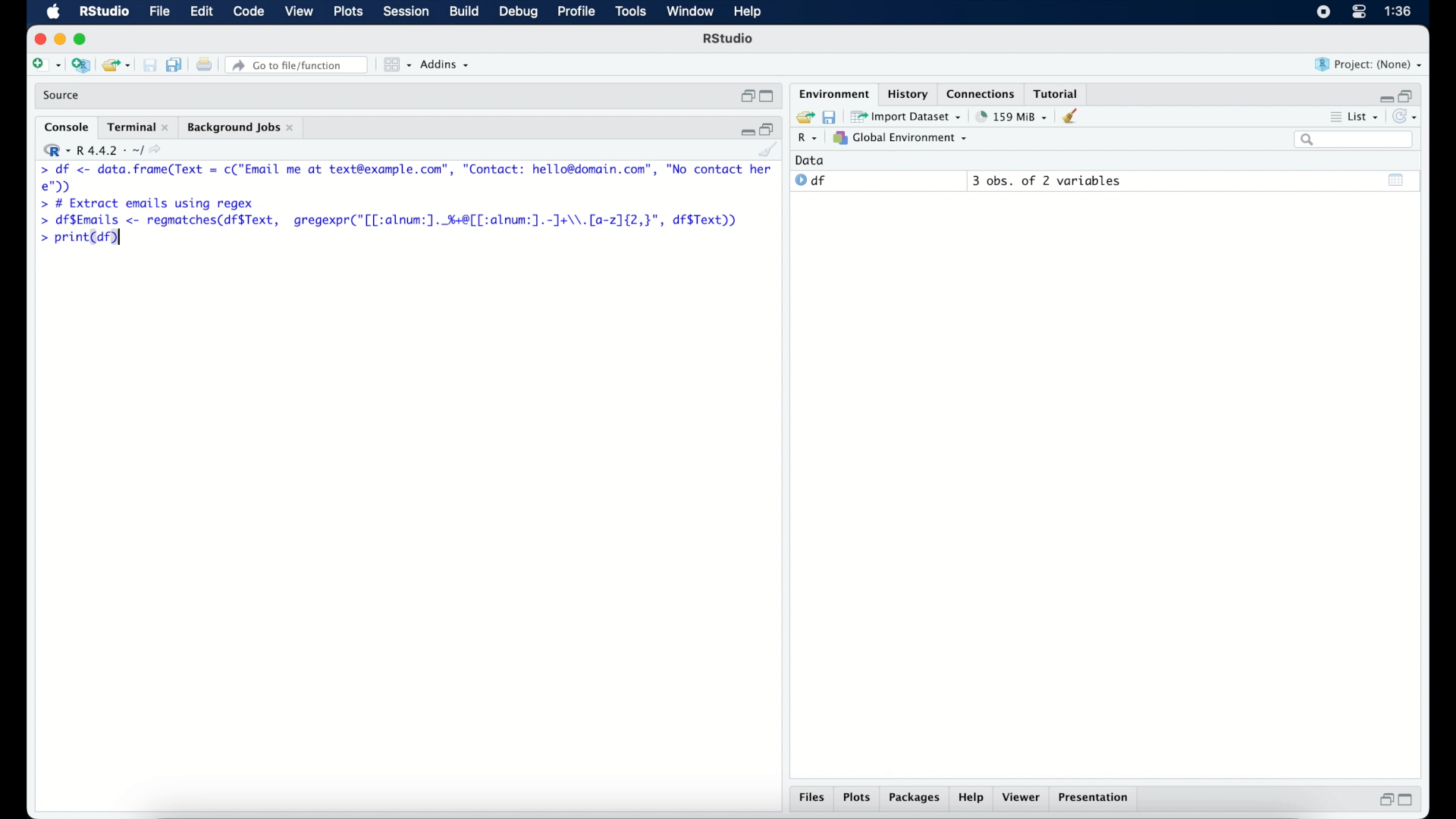 This screenshot has height=819, width=1456. Describe the element at coordinates (629, 12) in the screenshot. I see `tools` at that location.